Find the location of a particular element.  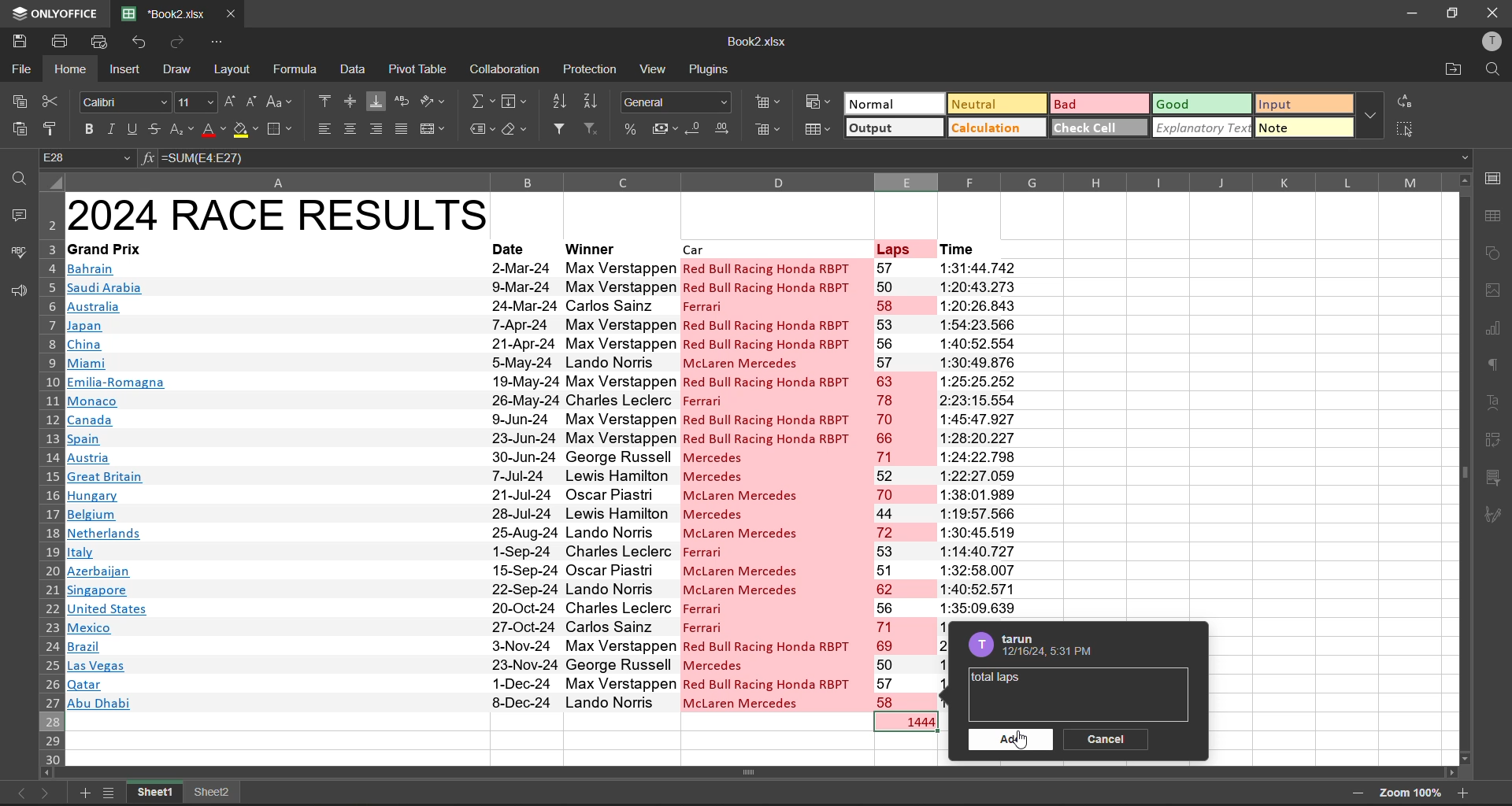

summation is located at coordinates (482, 102).